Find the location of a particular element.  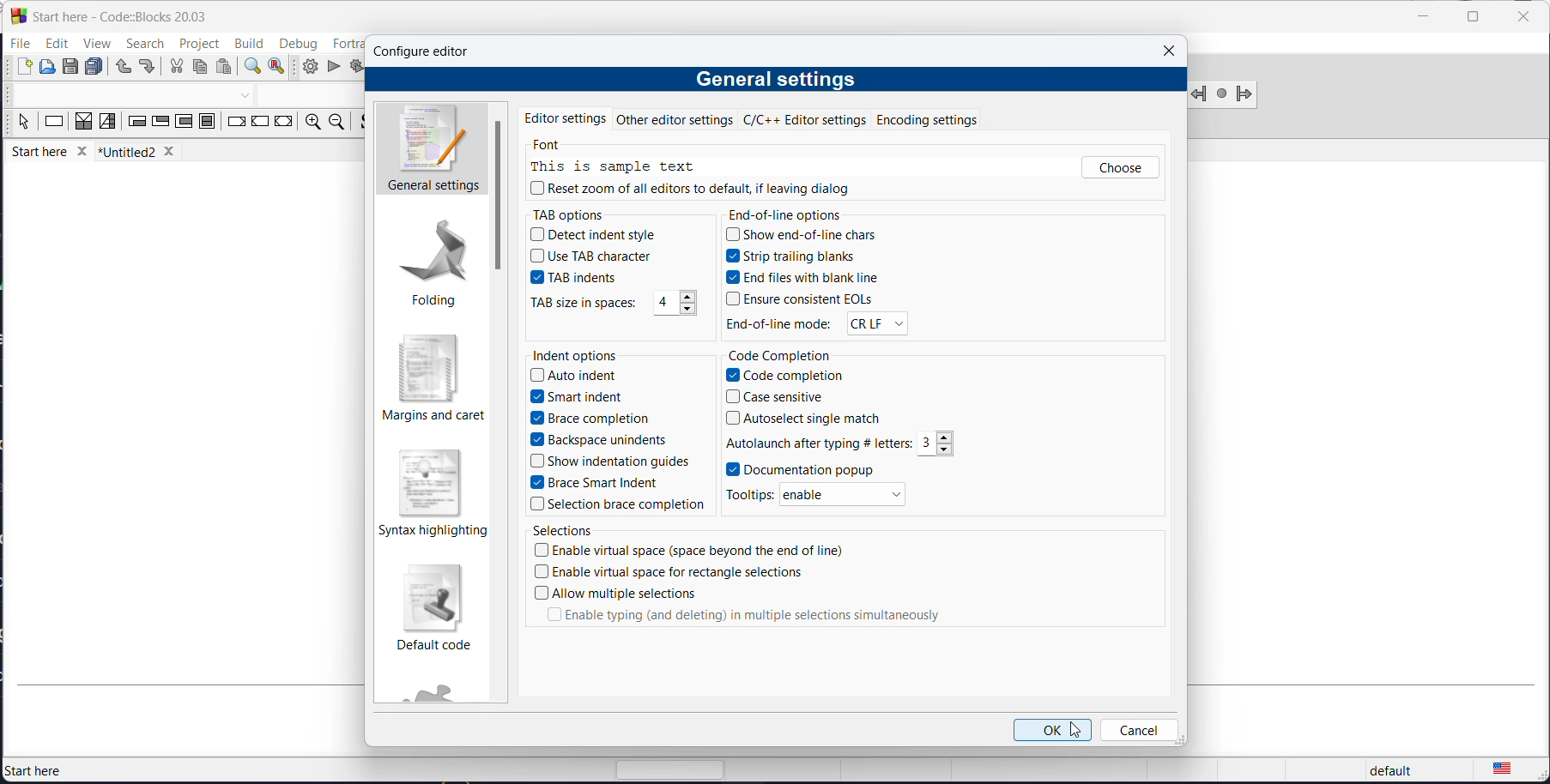

settings is located at coordinates (499, 196).